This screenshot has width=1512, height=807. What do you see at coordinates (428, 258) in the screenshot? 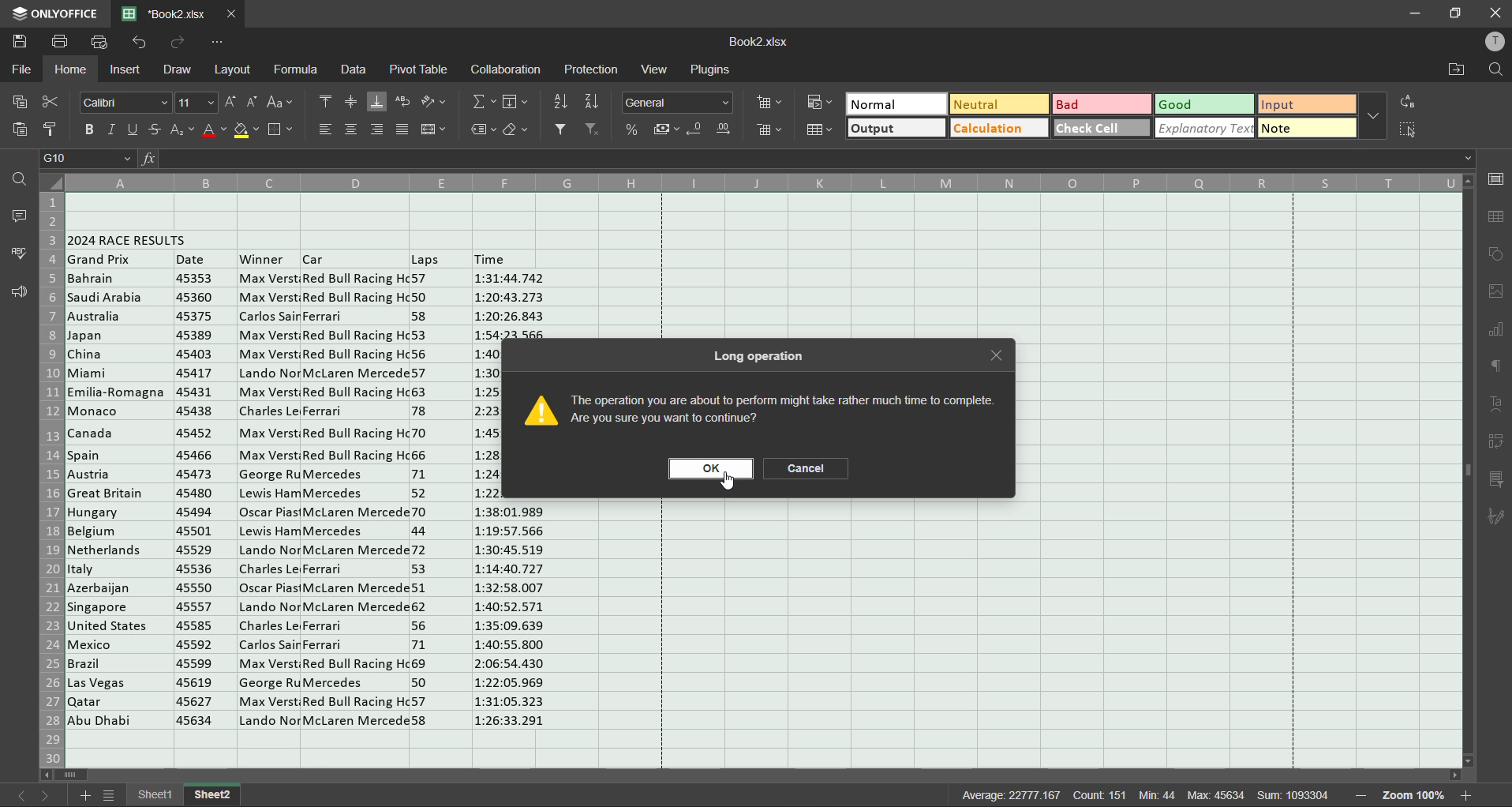
I see `` at bounding box center [428, 258].